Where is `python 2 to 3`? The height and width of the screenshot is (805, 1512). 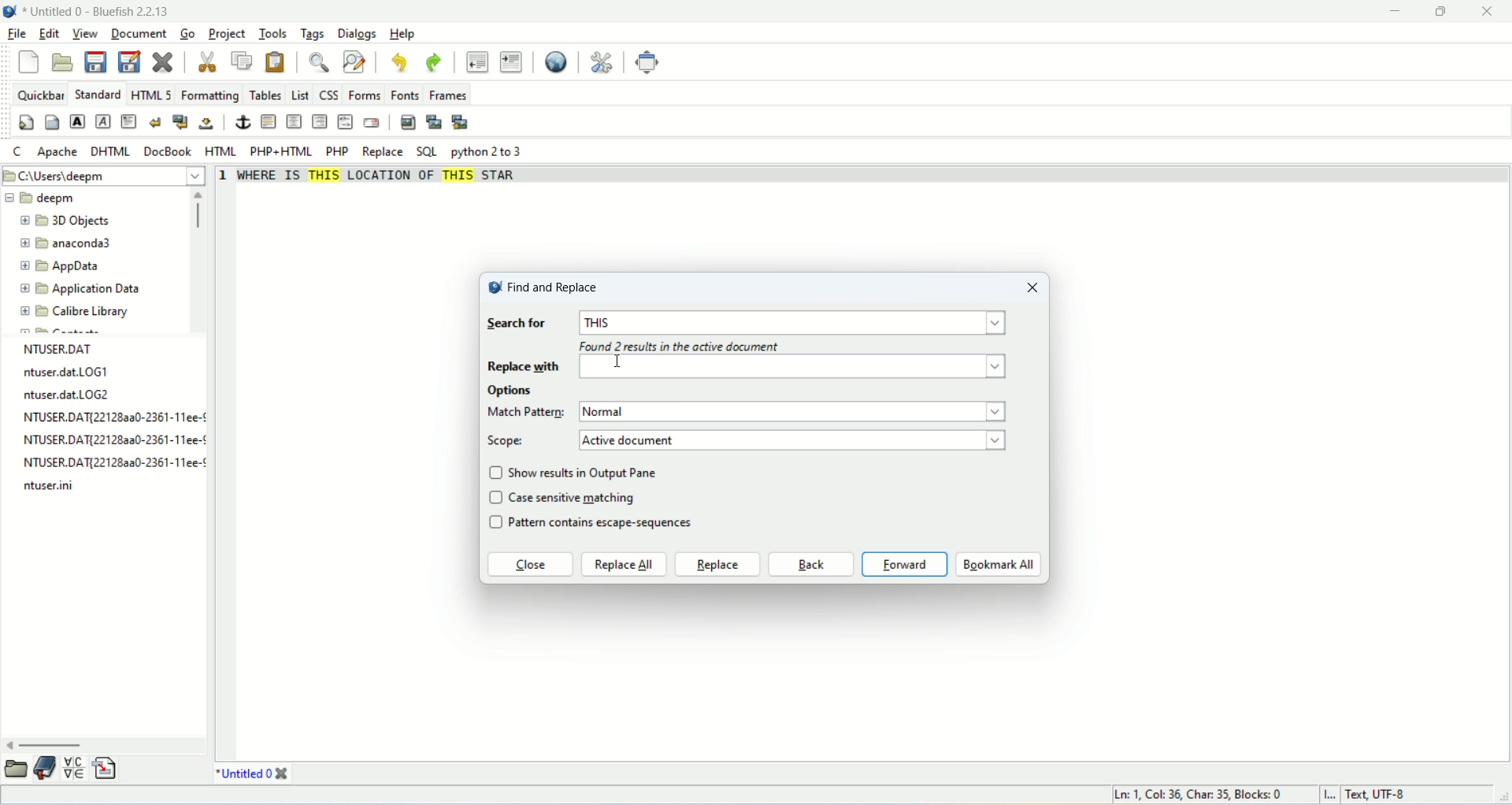 python 2 to 3 is located at coordinates (490, 152).